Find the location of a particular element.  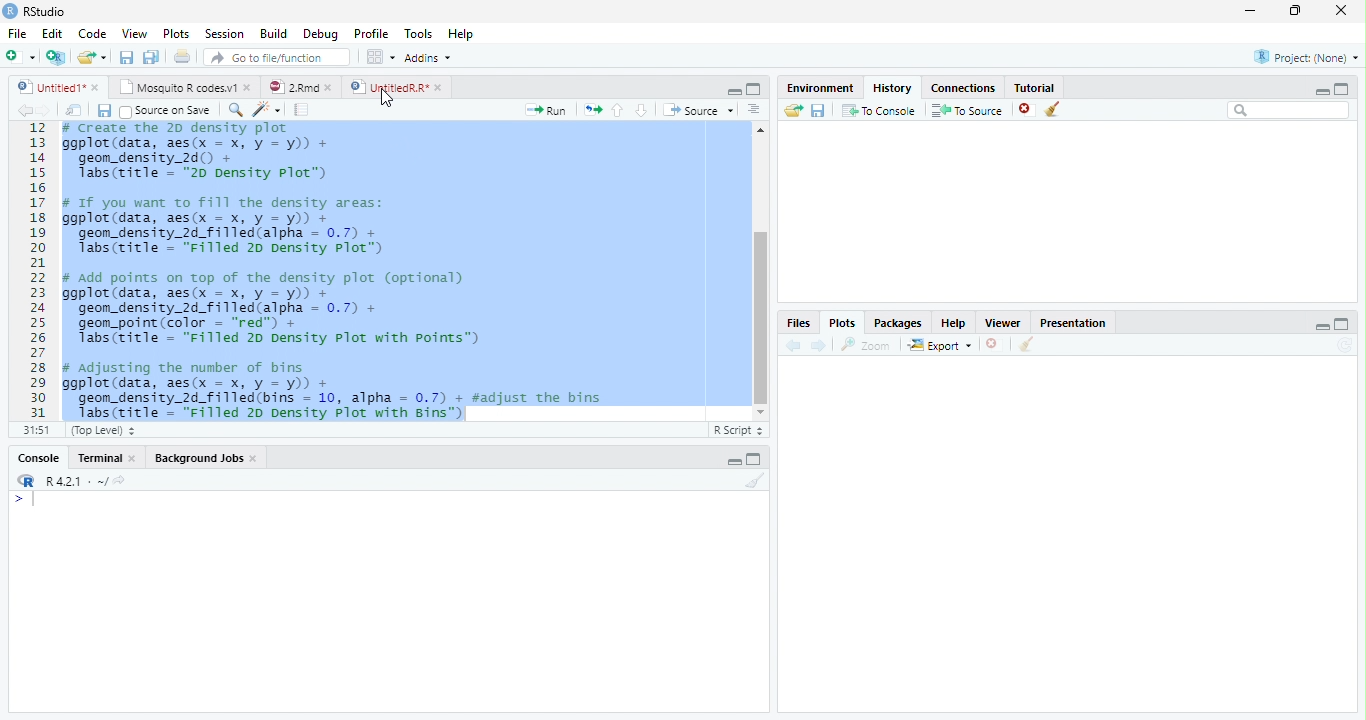

File is located at coordinates (17, 35).